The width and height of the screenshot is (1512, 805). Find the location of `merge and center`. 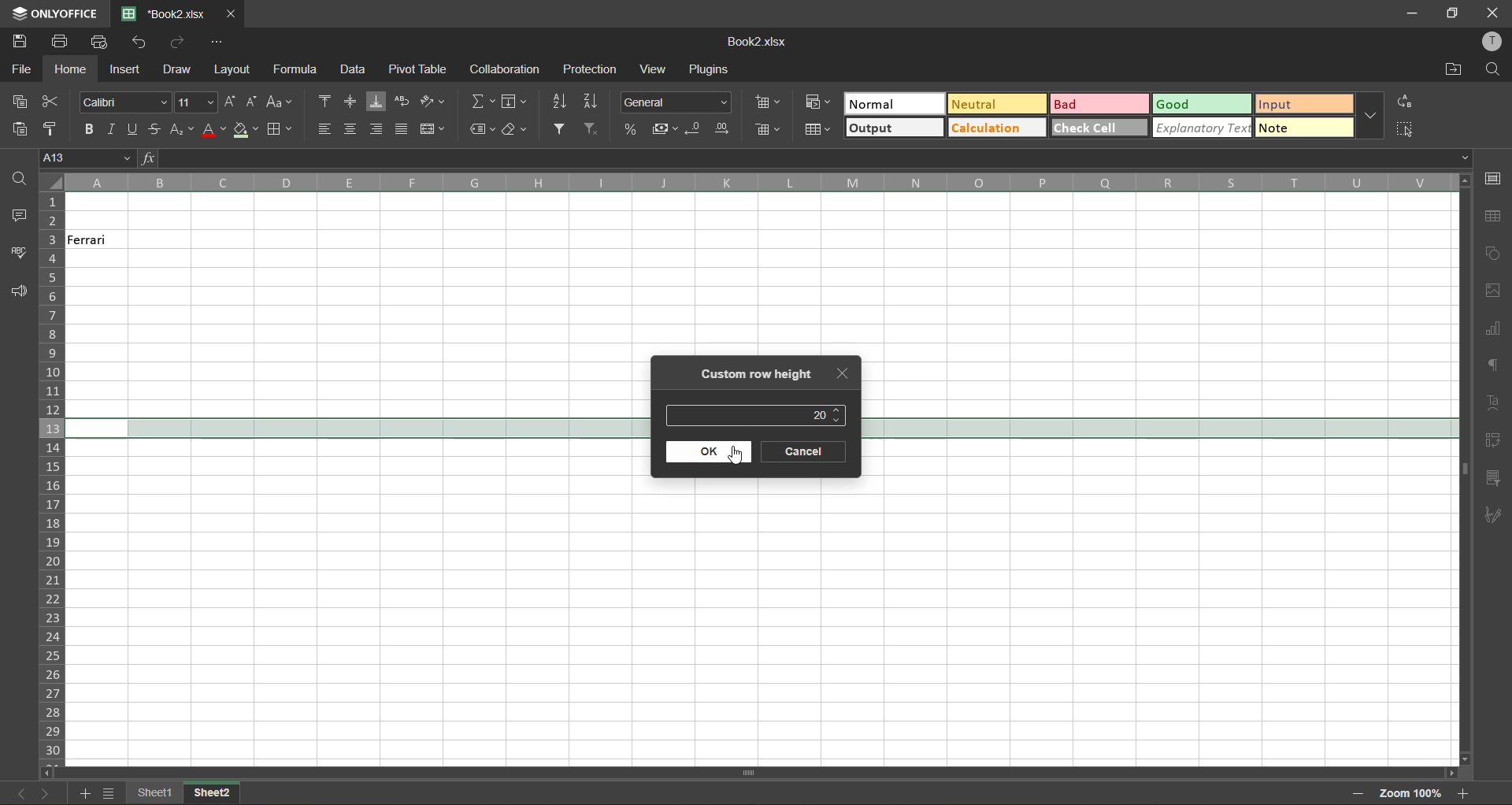

merge and center is located at coordinates (432, 129).